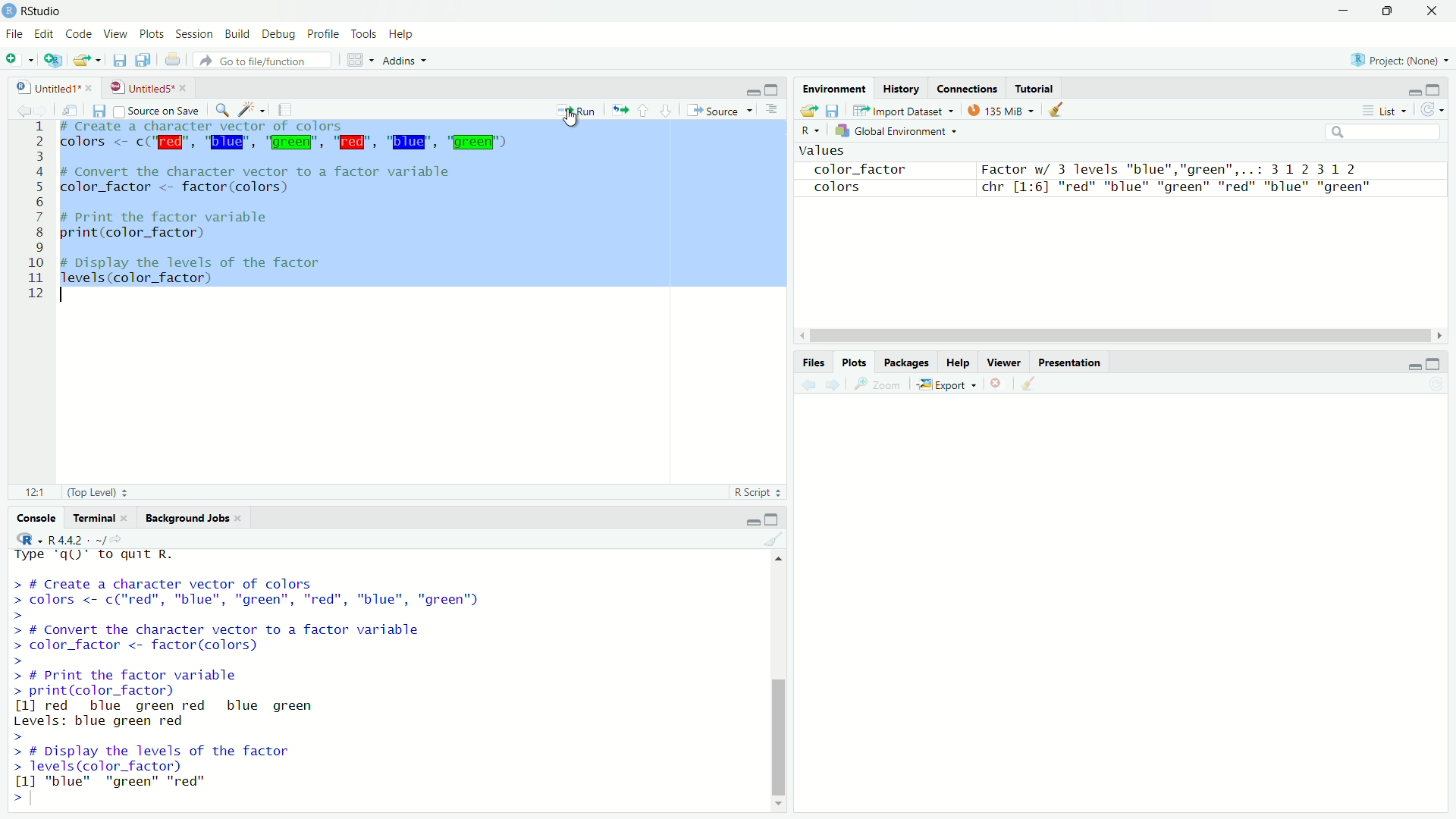  Describe the element at coordinates (995, 382) in the screenshot. I see `remove the current plot` at that location.